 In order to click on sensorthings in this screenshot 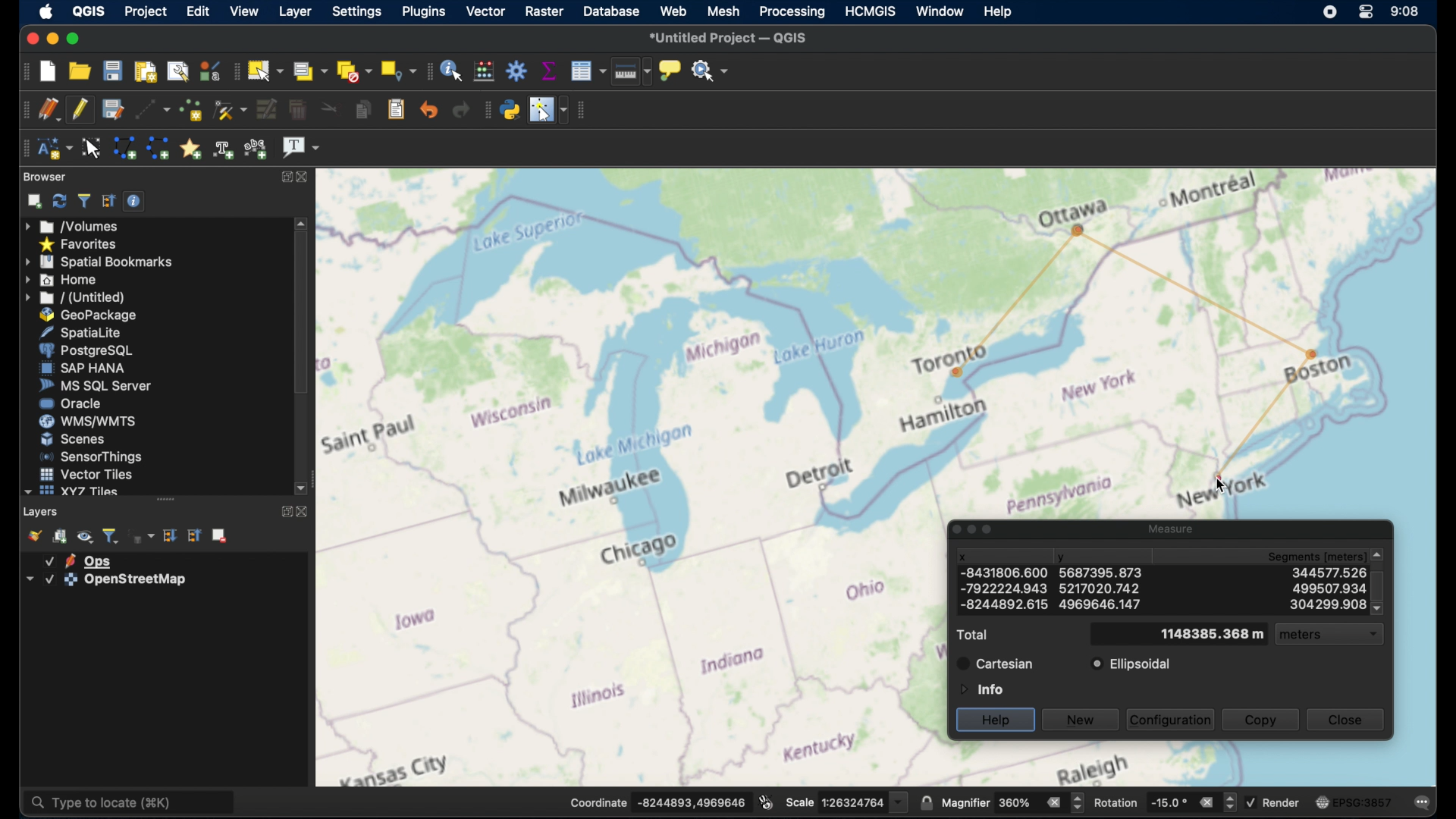, I will do `click(92, 457)`.